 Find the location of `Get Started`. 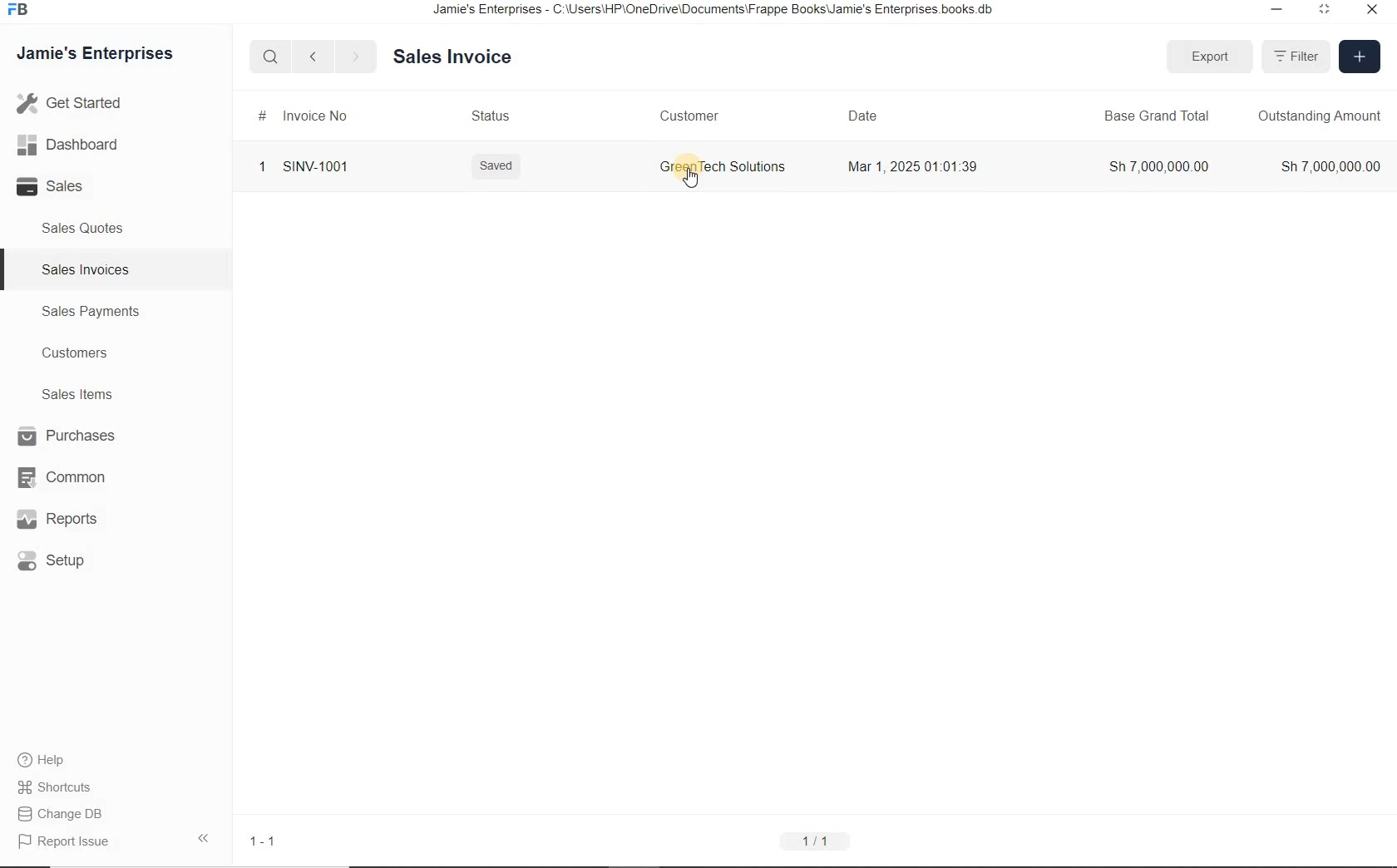

Get Started is located at coordinates (70, 105).